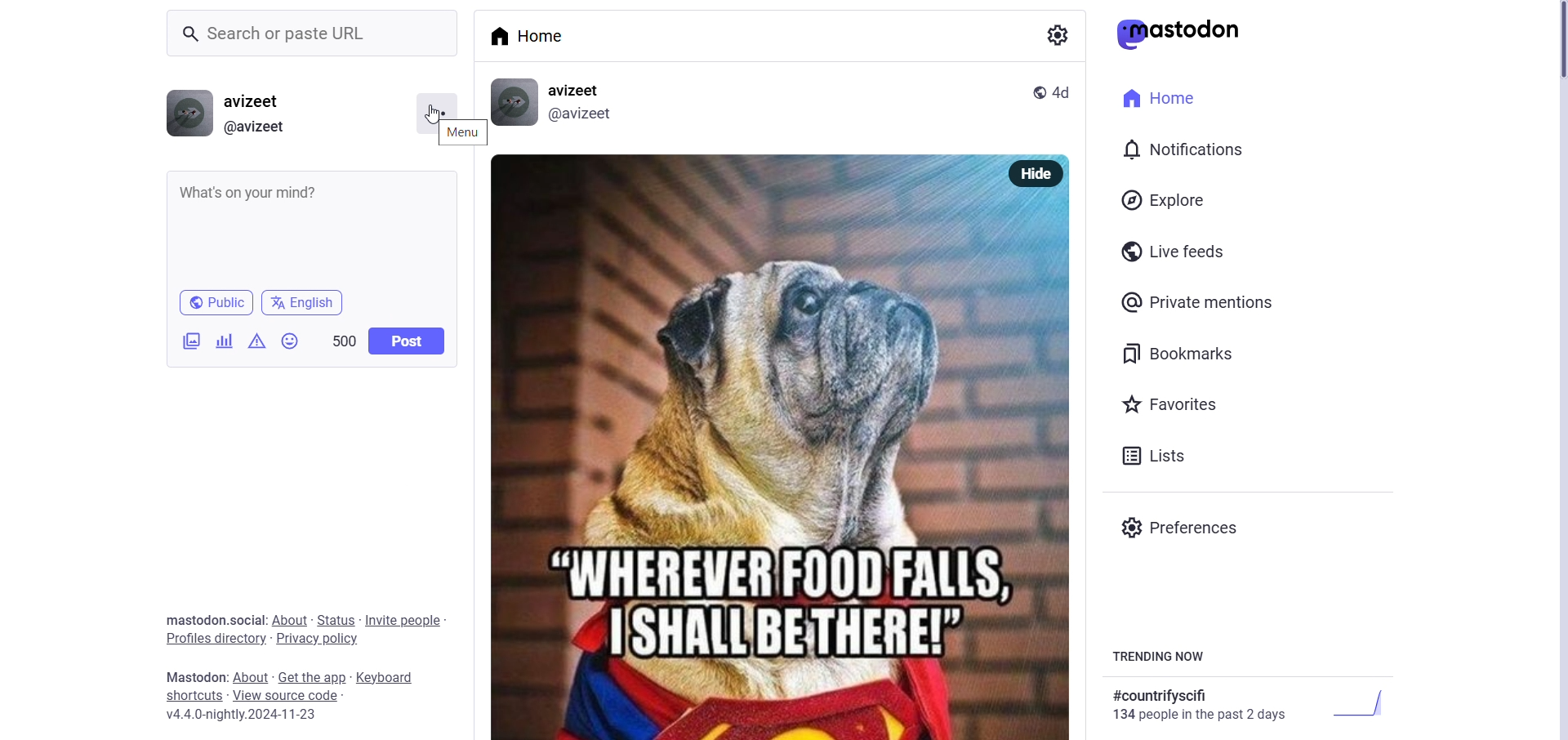 The height and width of the screenshot is (740, 1568). Describe the element at coordinates (333, 618) in the screenshot. I see `status` at that location.